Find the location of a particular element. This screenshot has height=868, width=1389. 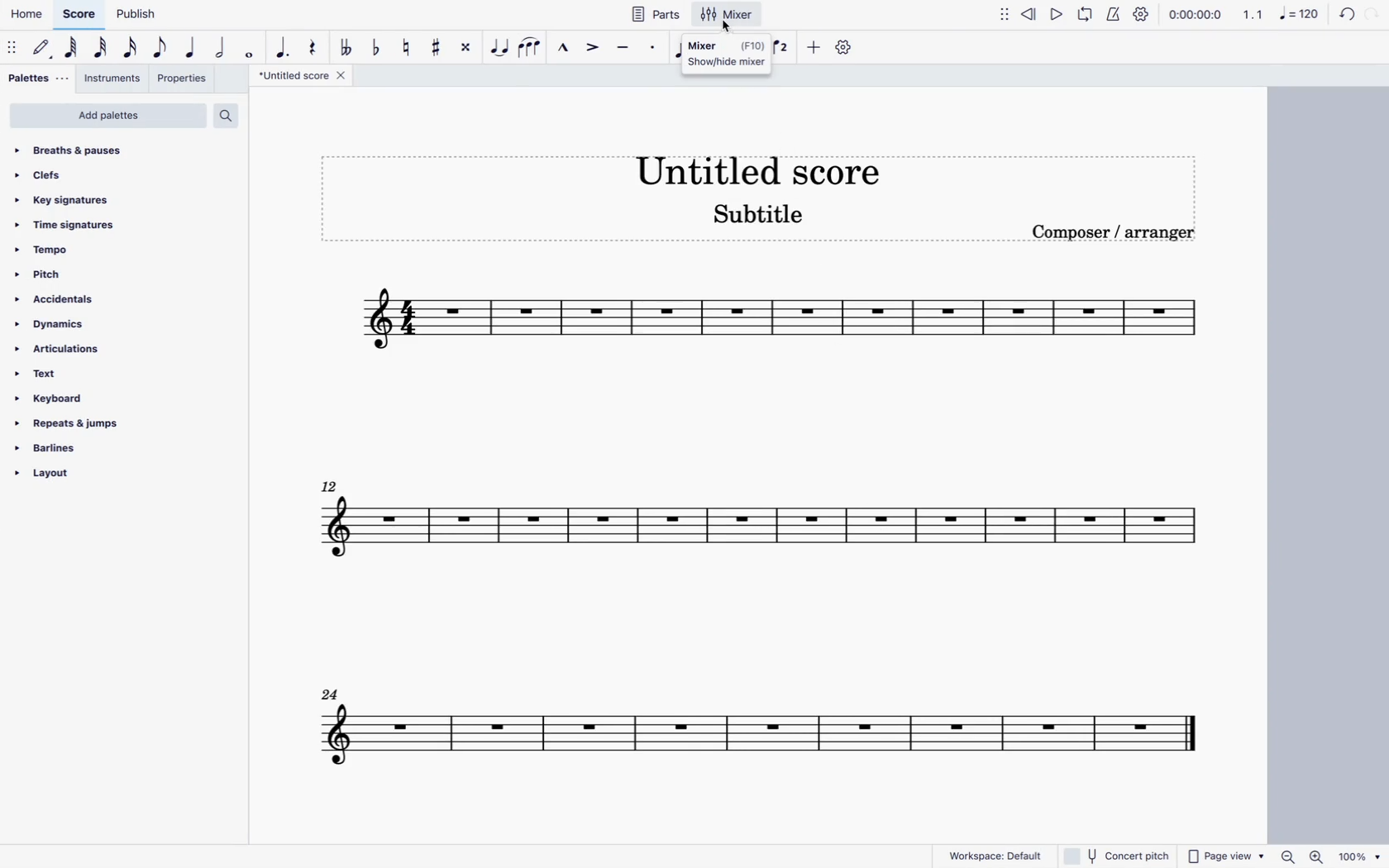

palettes is located at coordinates (39, 81).